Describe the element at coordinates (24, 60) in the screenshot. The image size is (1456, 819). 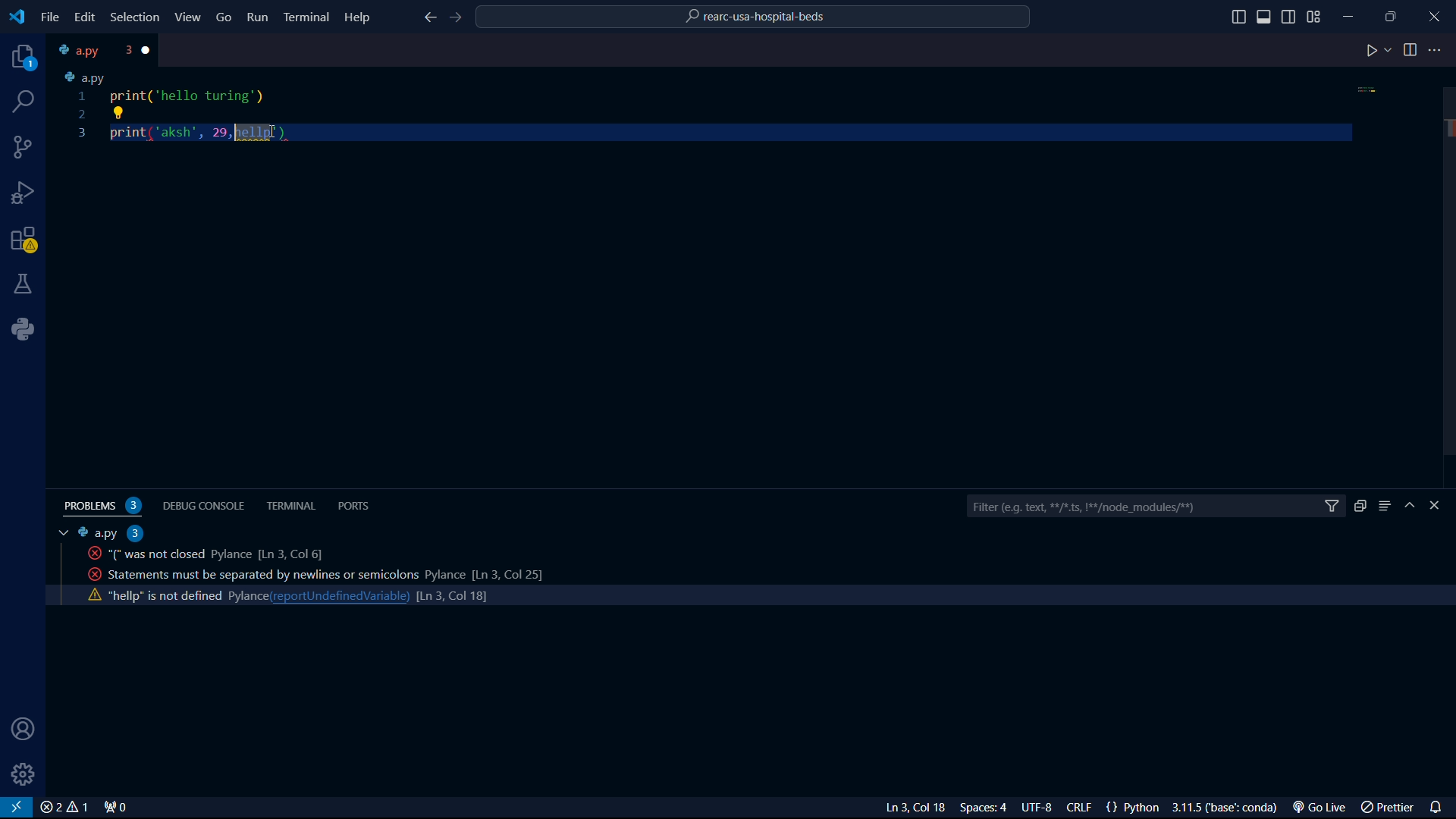
I see `projects` at that location.